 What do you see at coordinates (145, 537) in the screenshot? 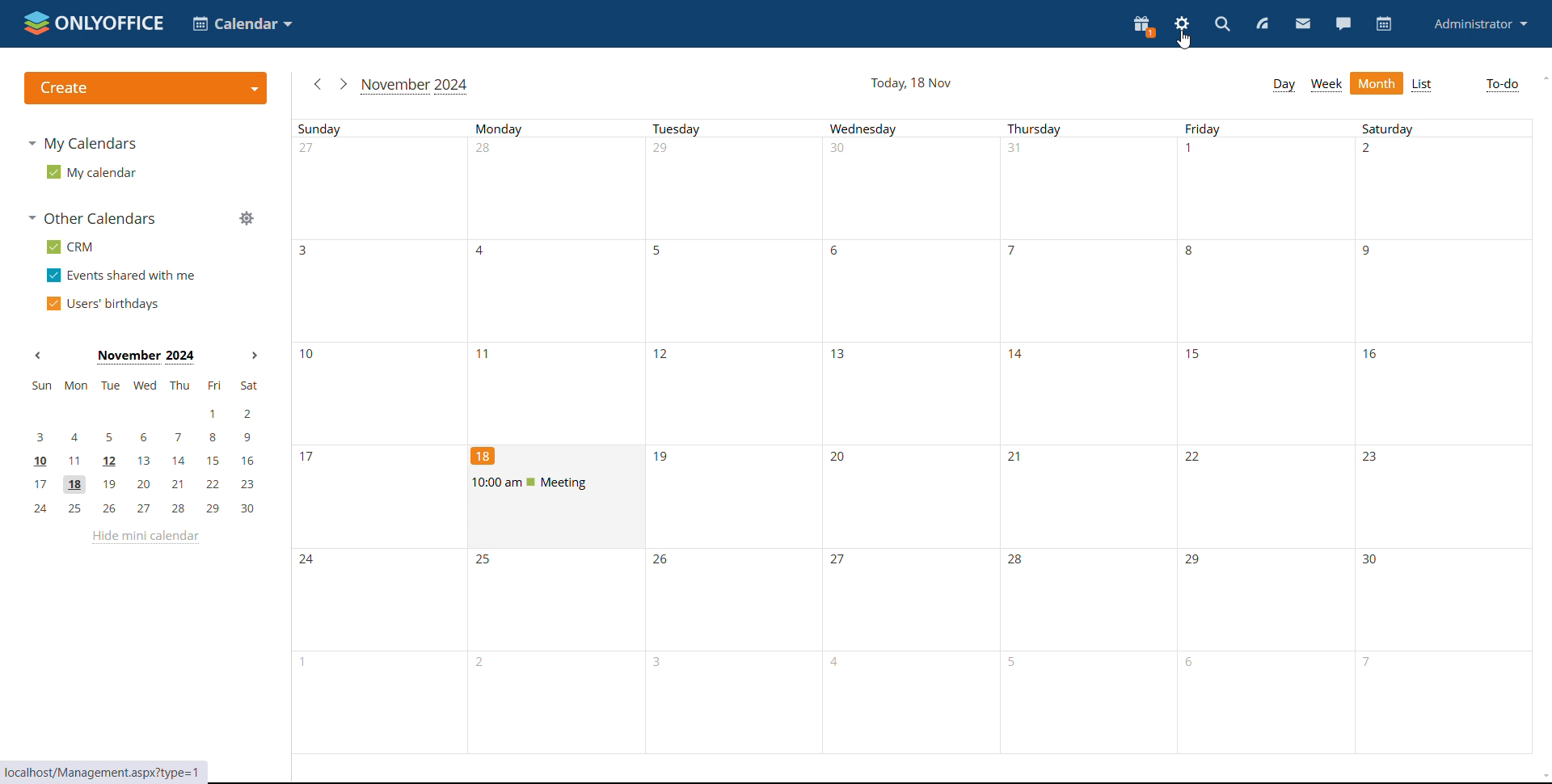
I see `hide mini calendar` at bounding box center [145, 537].